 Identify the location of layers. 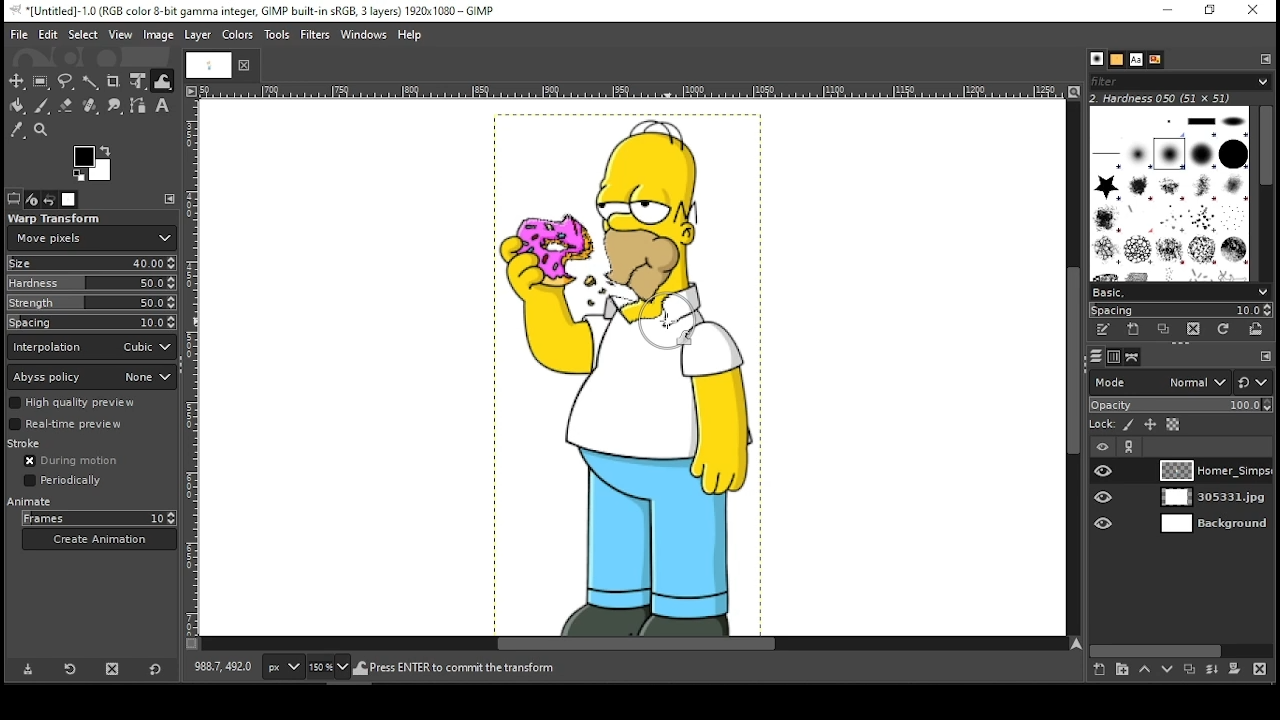
(1096, 356).